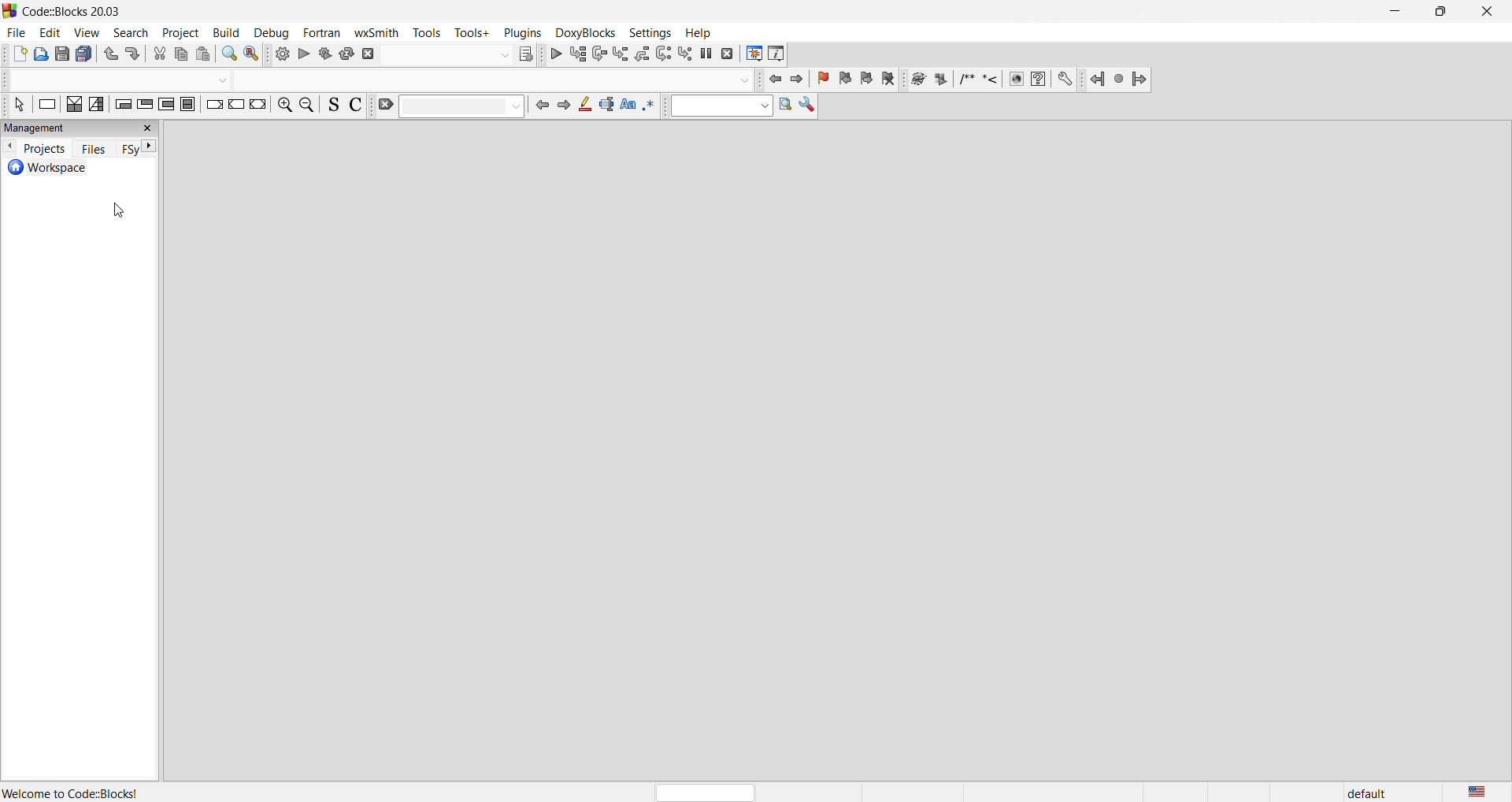  What do you see at coordinates (230, 56) in the screenshot?
I see `find` at bounding box center [230, 56].